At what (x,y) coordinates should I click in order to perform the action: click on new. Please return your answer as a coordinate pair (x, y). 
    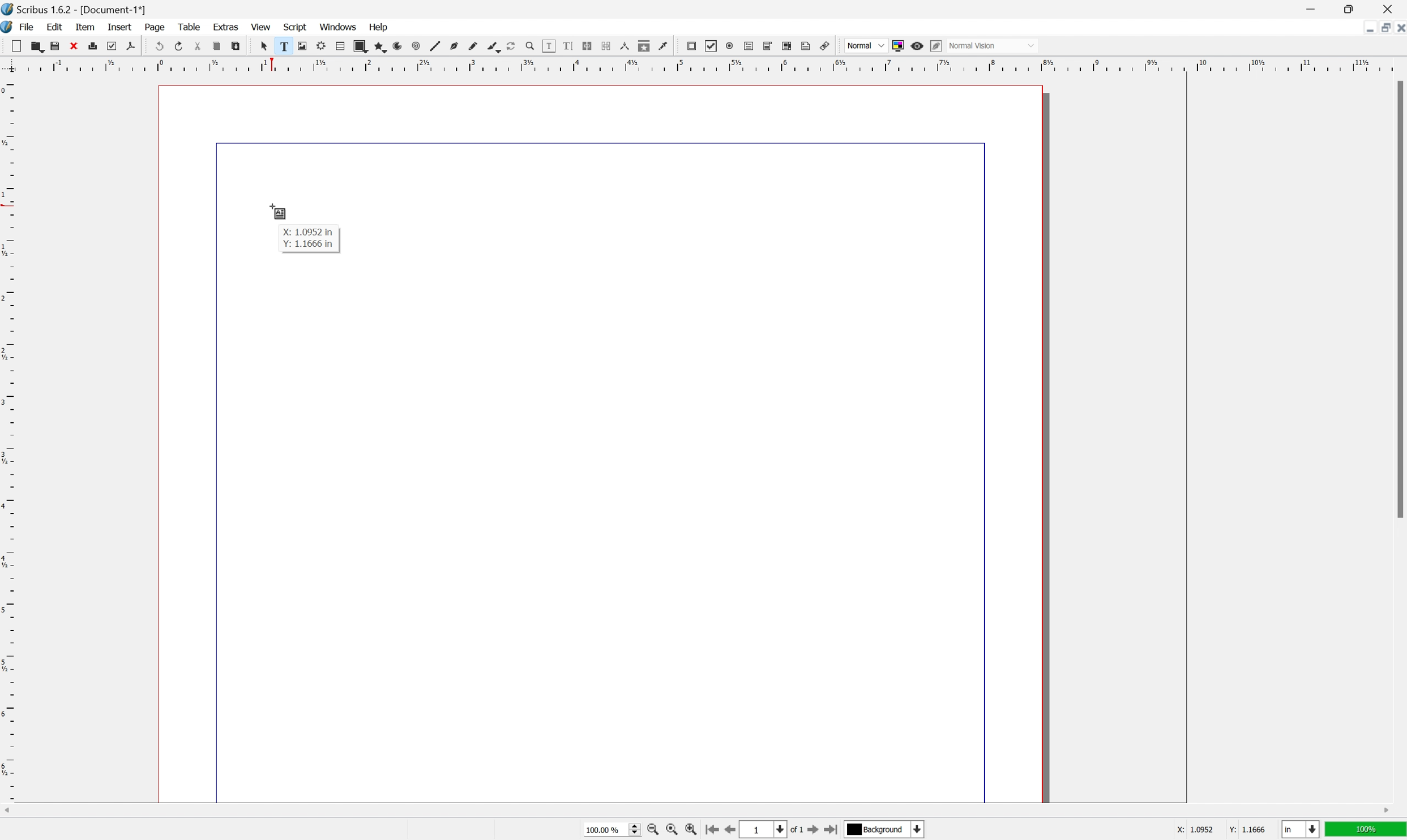
    Looking at the image, I should click on (17, 45).